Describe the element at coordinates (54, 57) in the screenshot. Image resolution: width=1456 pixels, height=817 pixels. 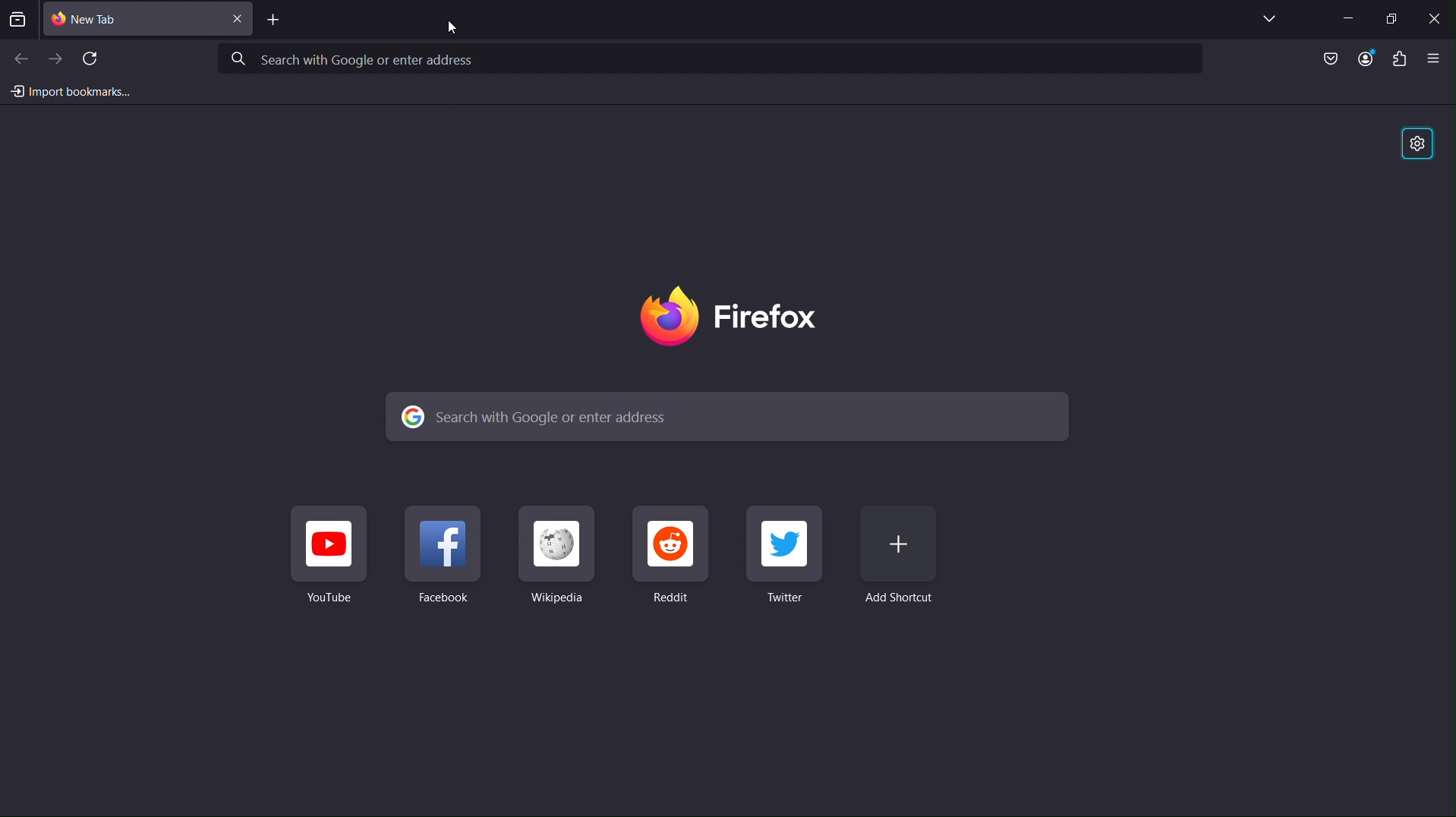
I see `Next Tab` at that location.